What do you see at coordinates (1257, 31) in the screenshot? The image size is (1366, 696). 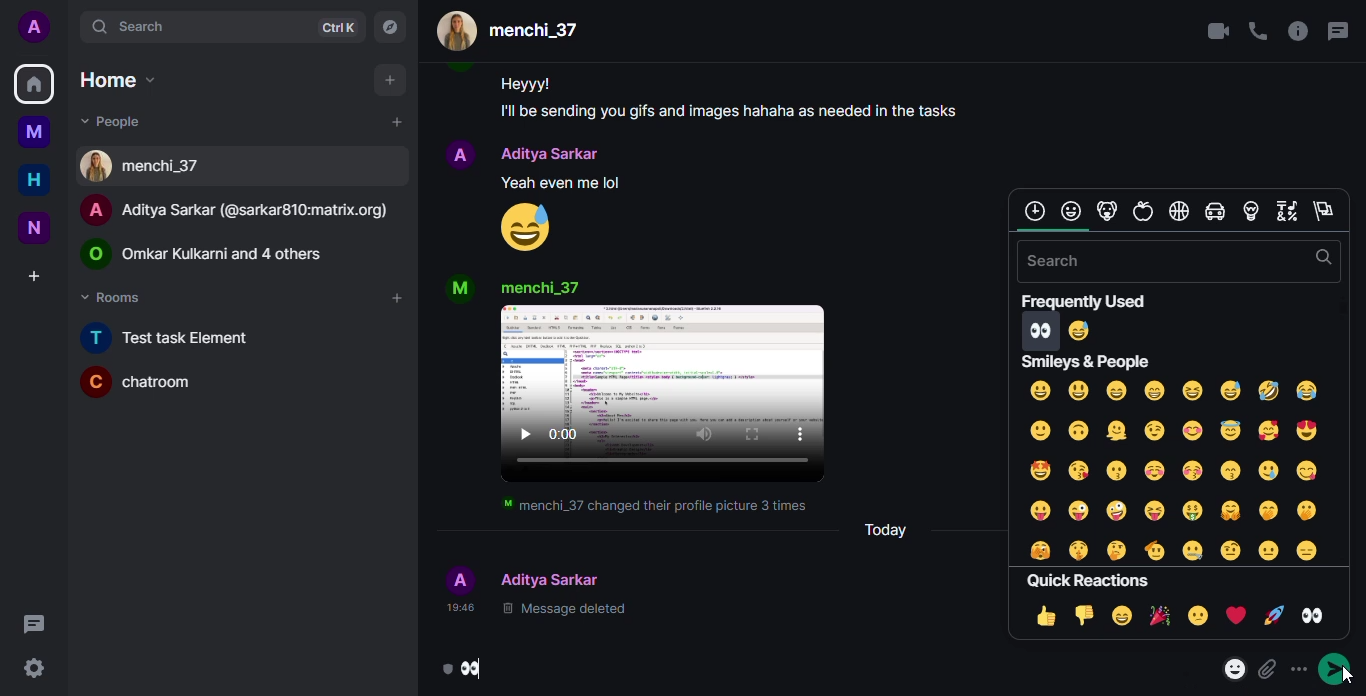 I see `voice call` at bounding box center [1257, 31].